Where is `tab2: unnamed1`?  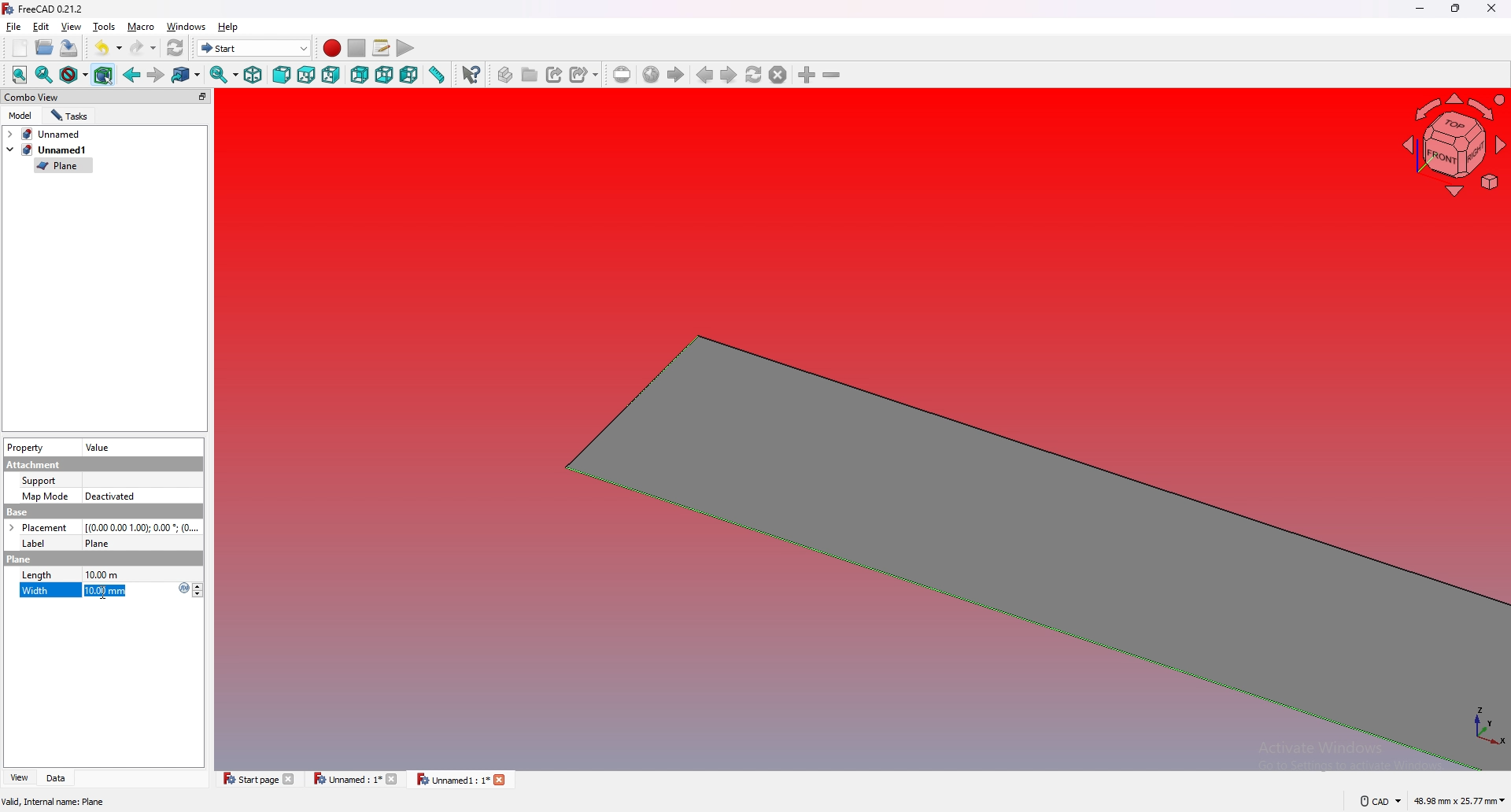 tab2: unnamed1 is located at coordinates (46, 149).